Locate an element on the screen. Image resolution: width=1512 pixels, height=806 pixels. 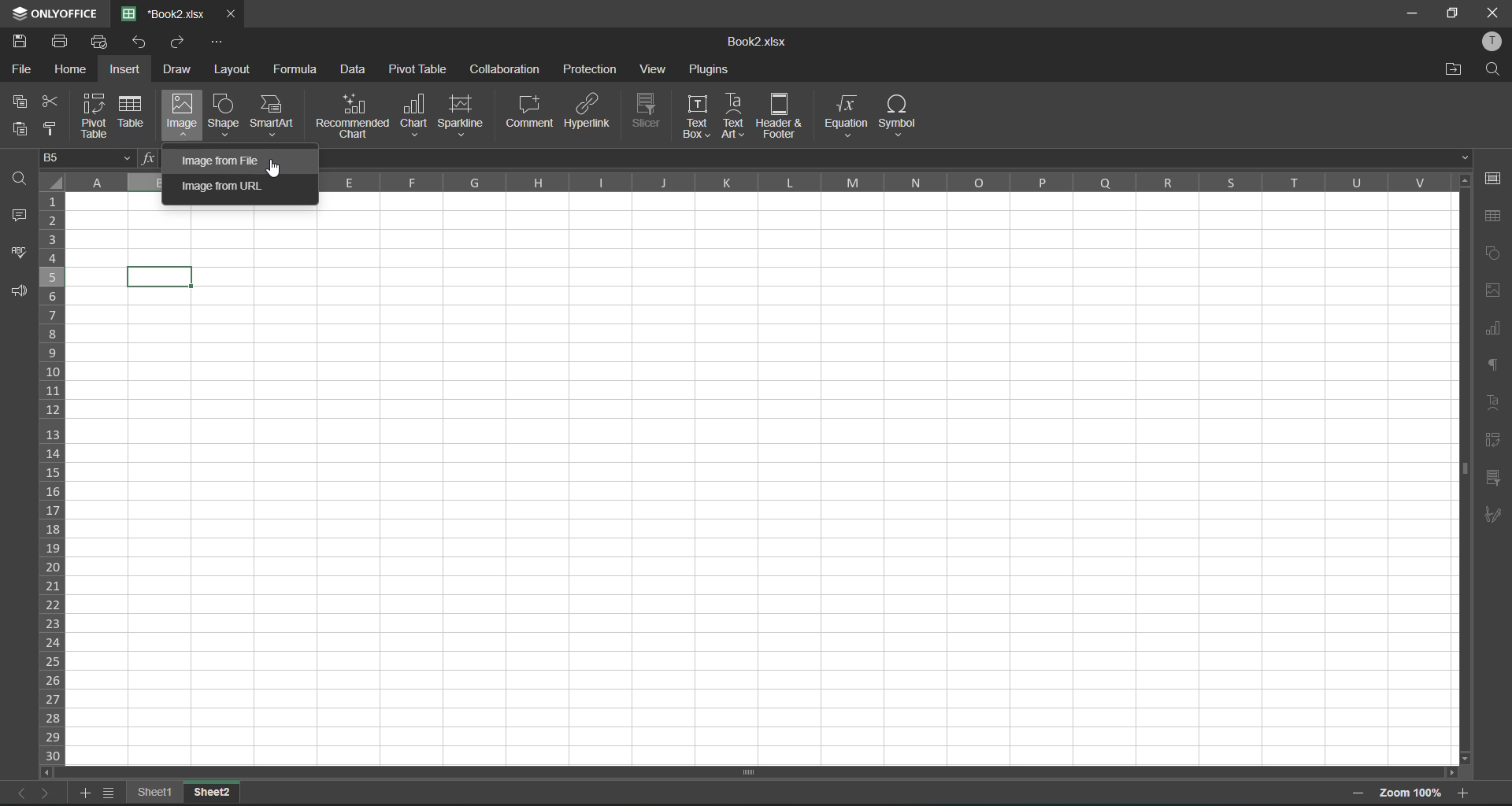
charts is located at coordinates (1494, 331).